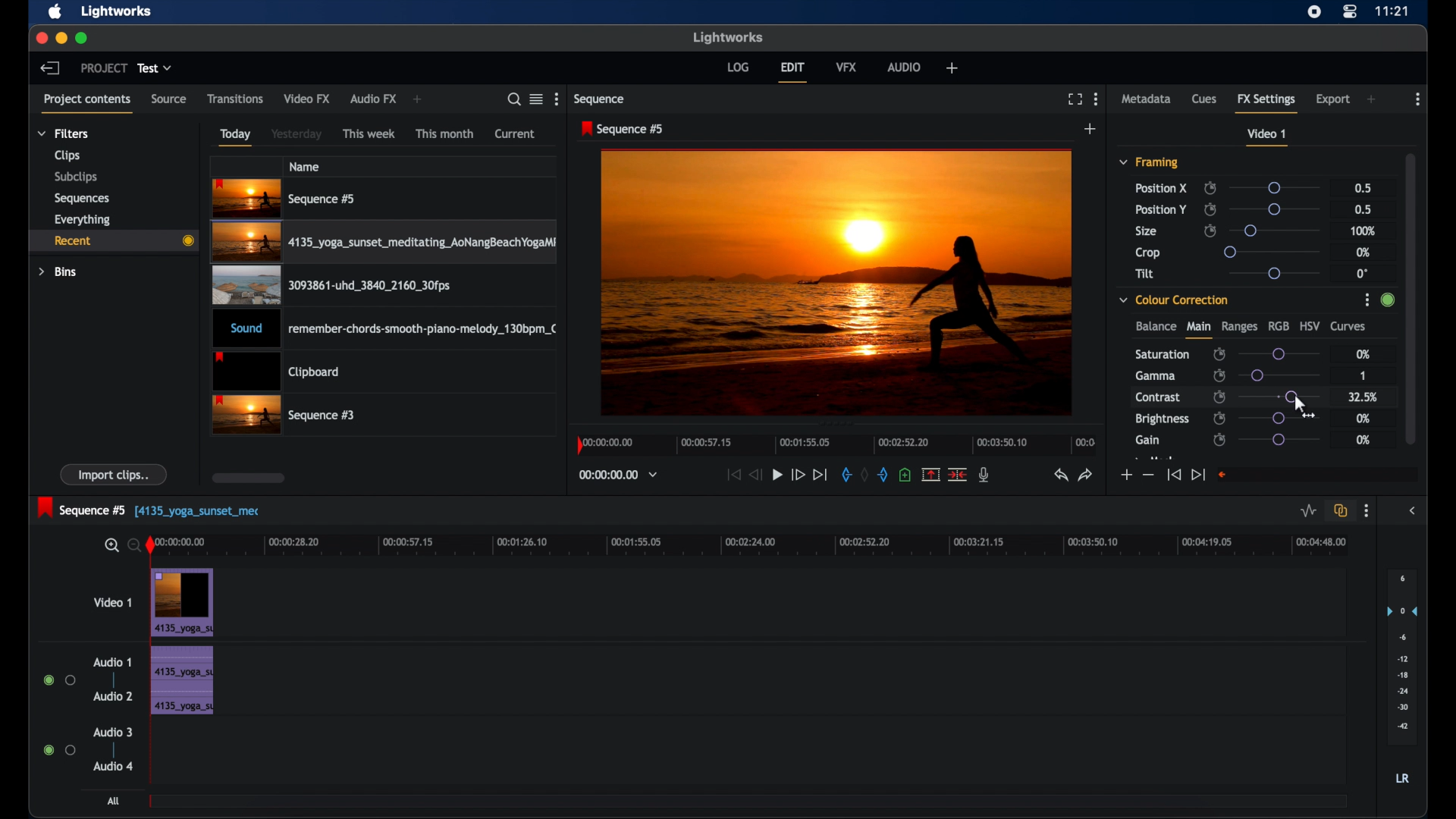 The image size is (1456, 819). Describe the element at coordinates (1219, 396) in the screenshot. I see `enable/disable keyframes` at that location.